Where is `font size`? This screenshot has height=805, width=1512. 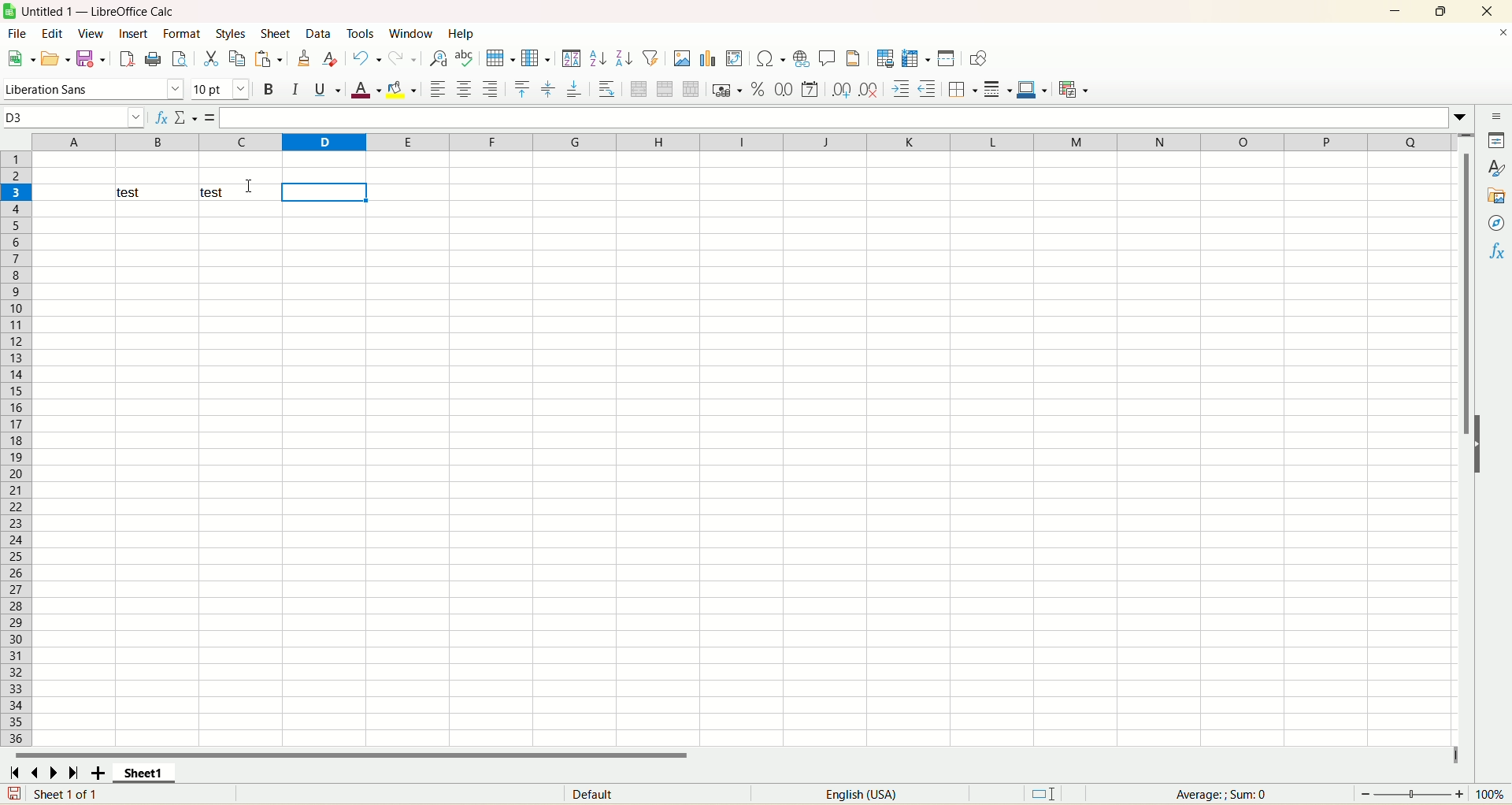 font size is located at coordinates (220, 90).